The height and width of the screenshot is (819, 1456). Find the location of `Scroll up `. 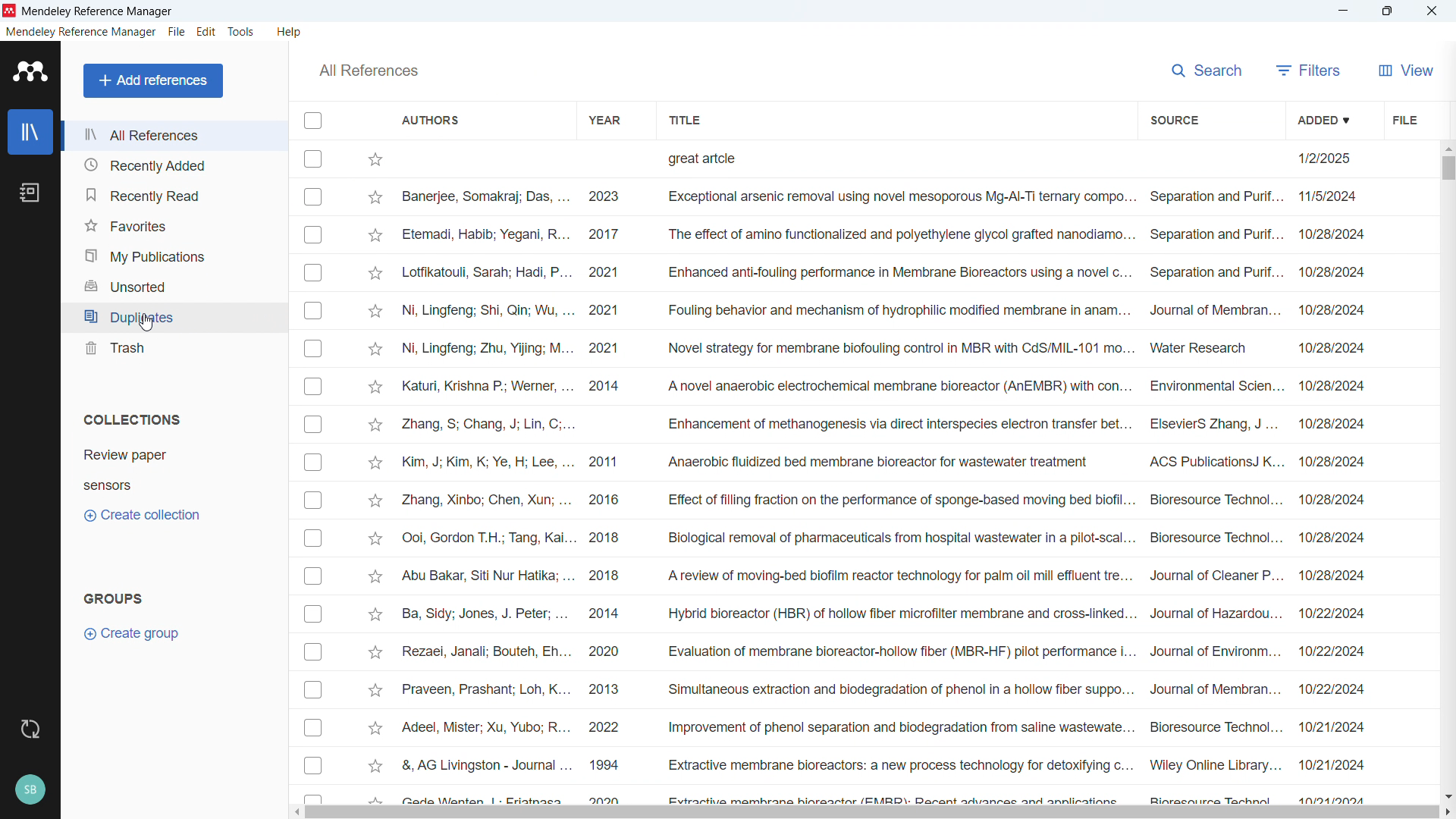

Scroll up  is located at coordinates (1447, 148).